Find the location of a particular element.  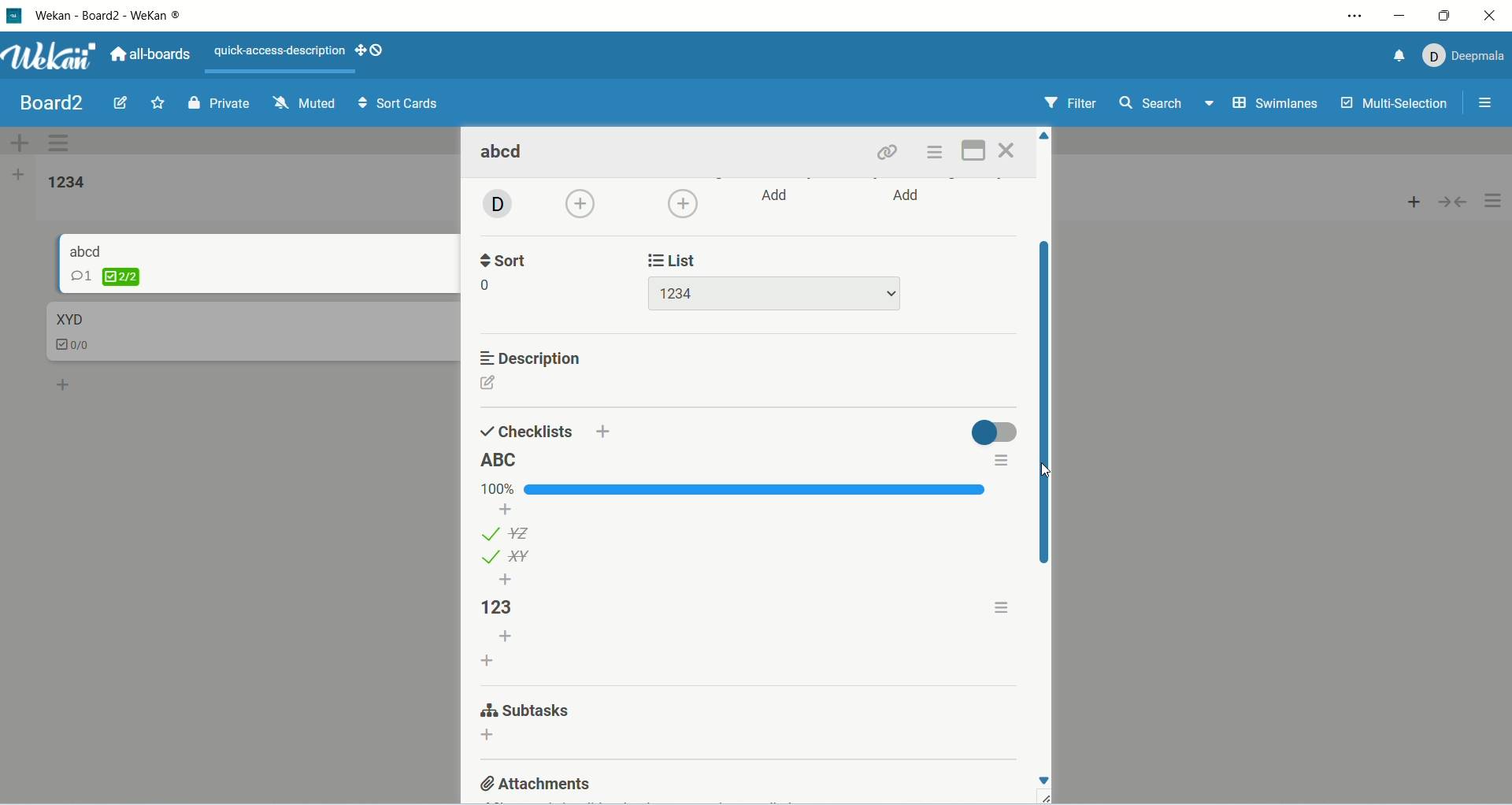

options is located at coordinates (1004, 606).